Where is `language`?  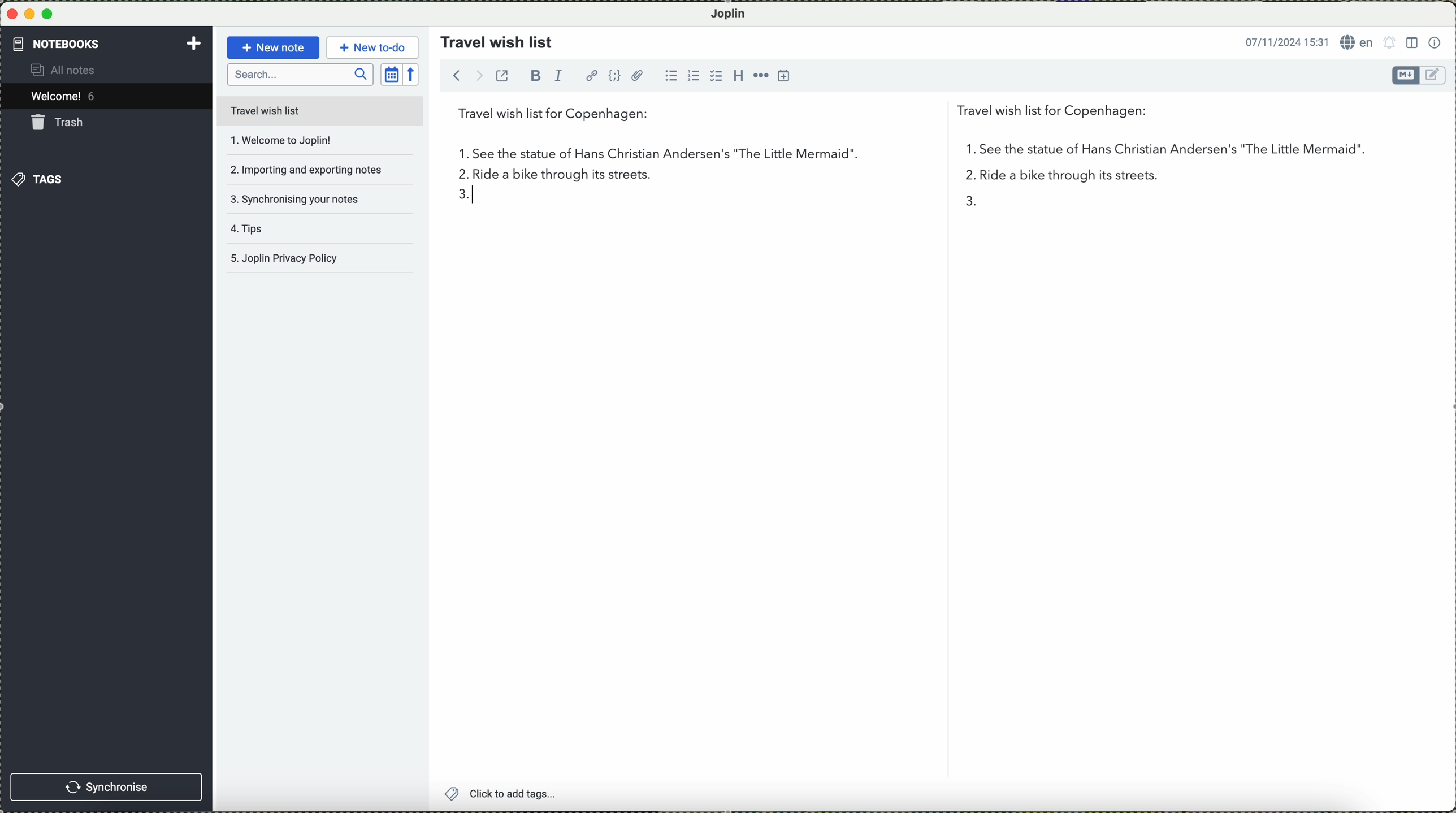
language is located at coordinates (1357, 42).